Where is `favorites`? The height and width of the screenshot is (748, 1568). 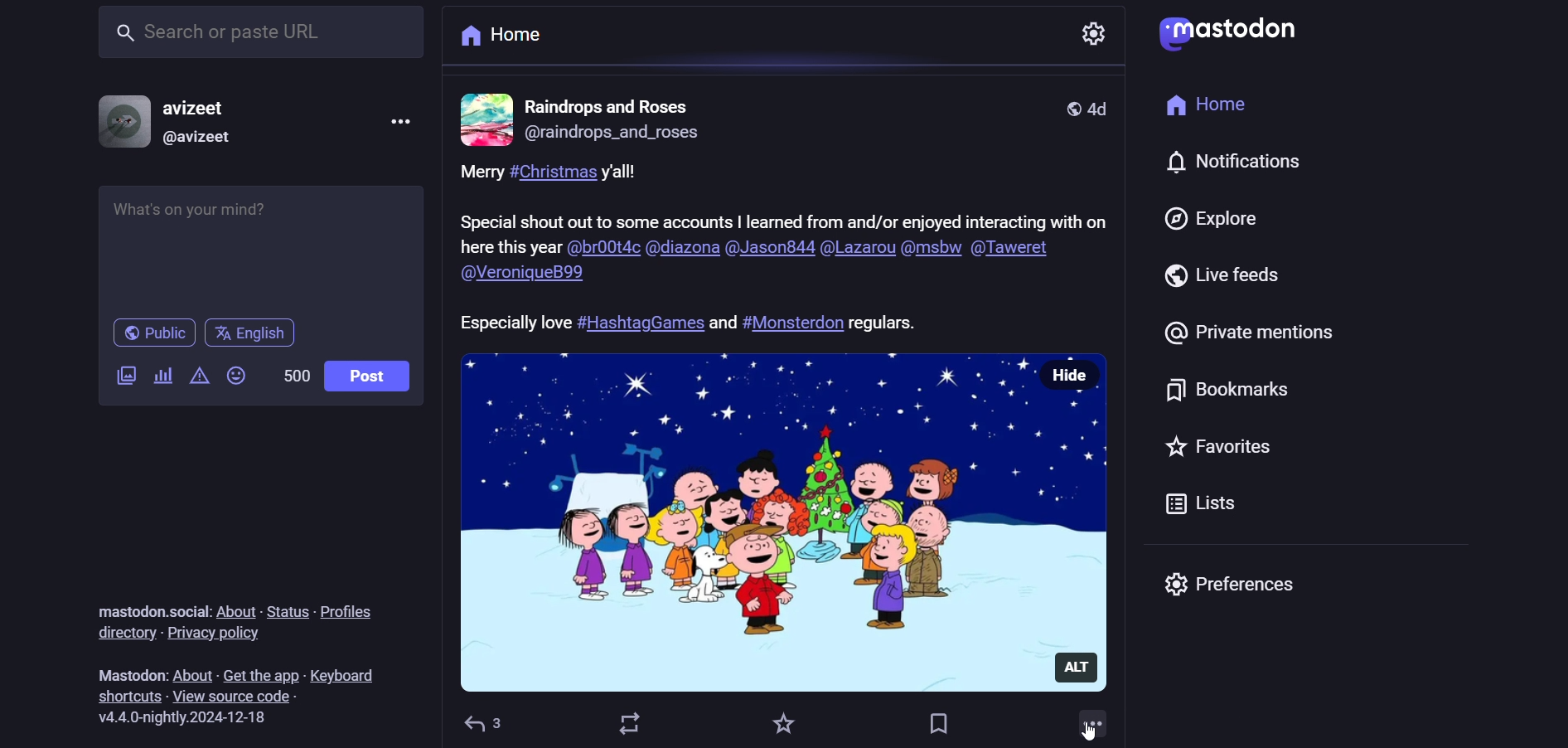
favorites is located at coordinates (782, 721).